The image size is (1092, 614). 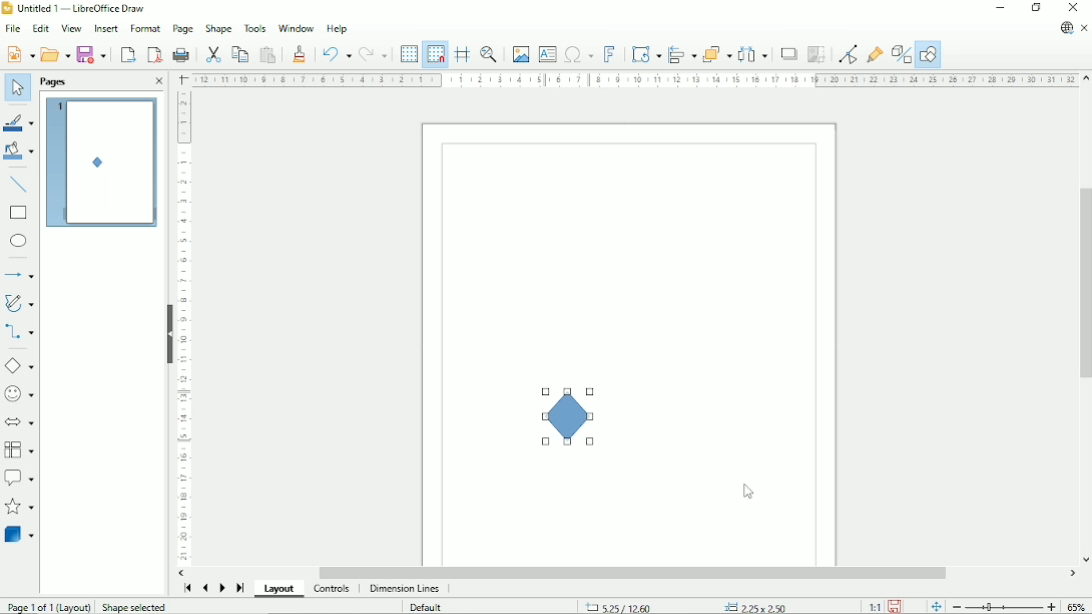 What do you see at coordinates (183, 325) in the screenshot?
I see `Vertical scale` at bounding box center [183, 325].